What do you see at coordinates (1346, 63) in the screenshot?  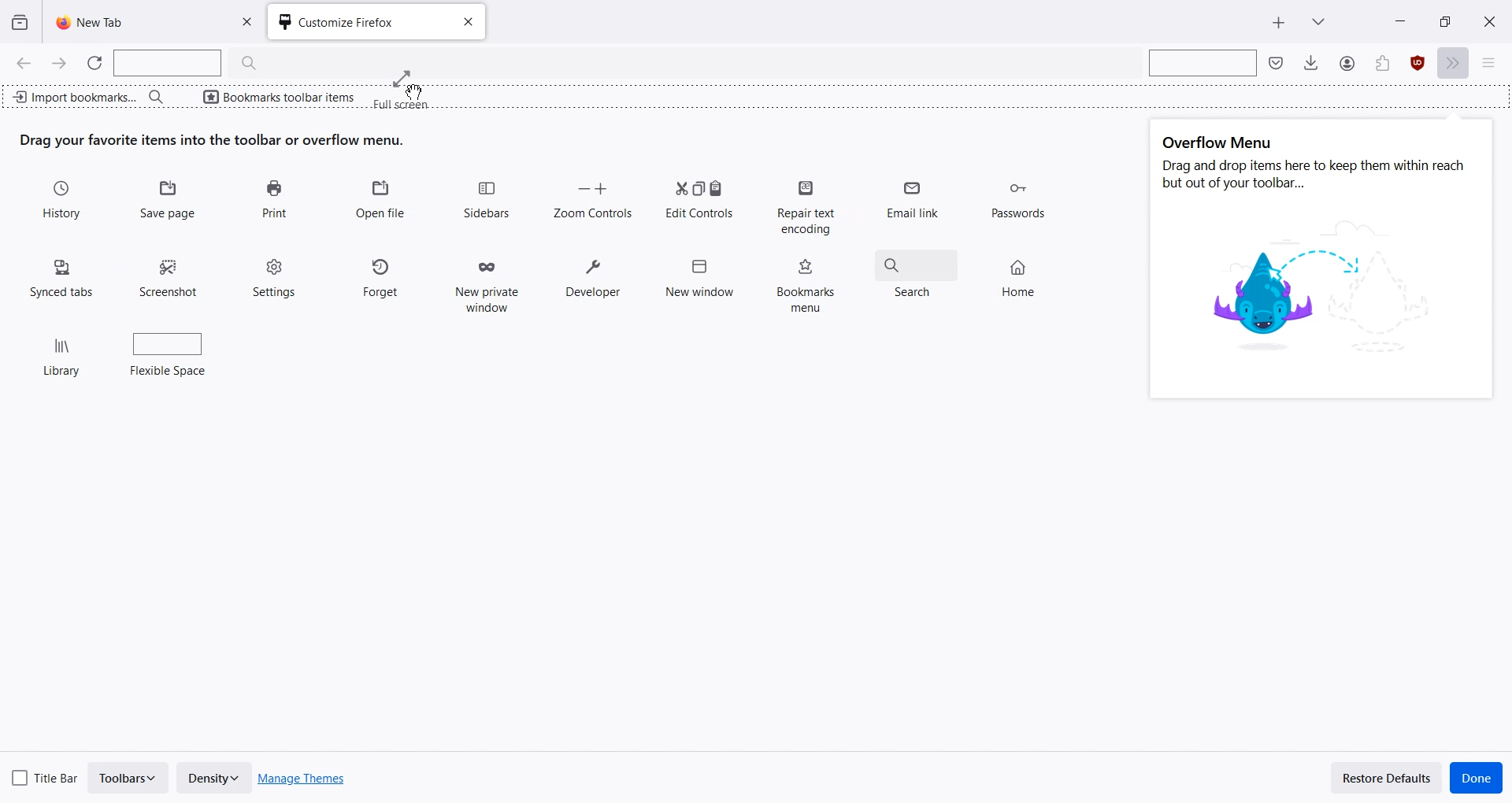 I see `Save to Pocket` at bounding box center [1346, 63].